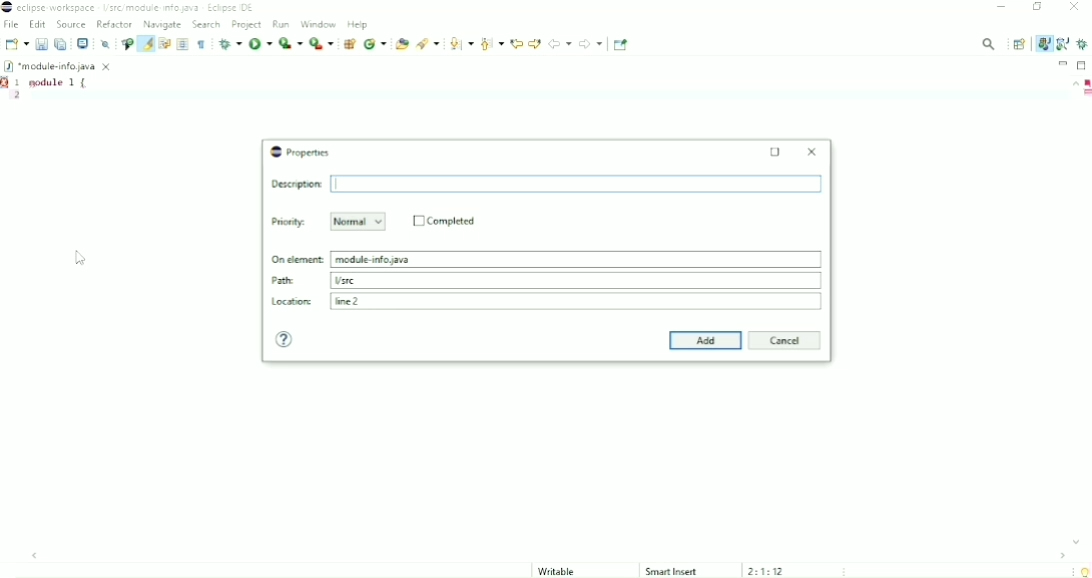  Describe the element at coordinates (61, 44) in the screenshot. I see `Save All` at that location.